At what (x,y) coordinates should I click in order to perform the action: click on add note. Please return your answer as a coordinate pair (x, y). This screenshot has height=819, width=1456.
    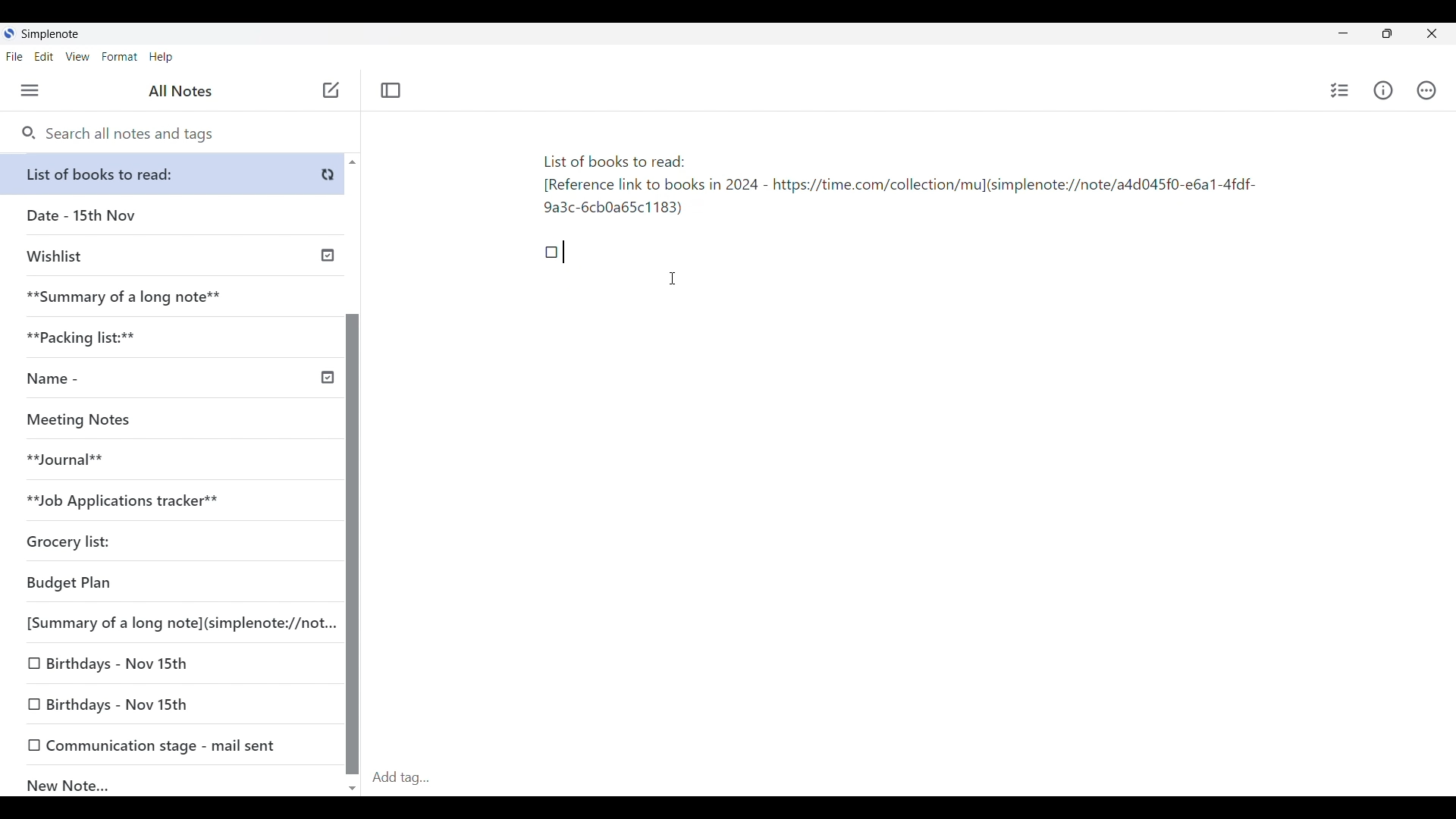
    Looking at the image, I should click on (329, 89).